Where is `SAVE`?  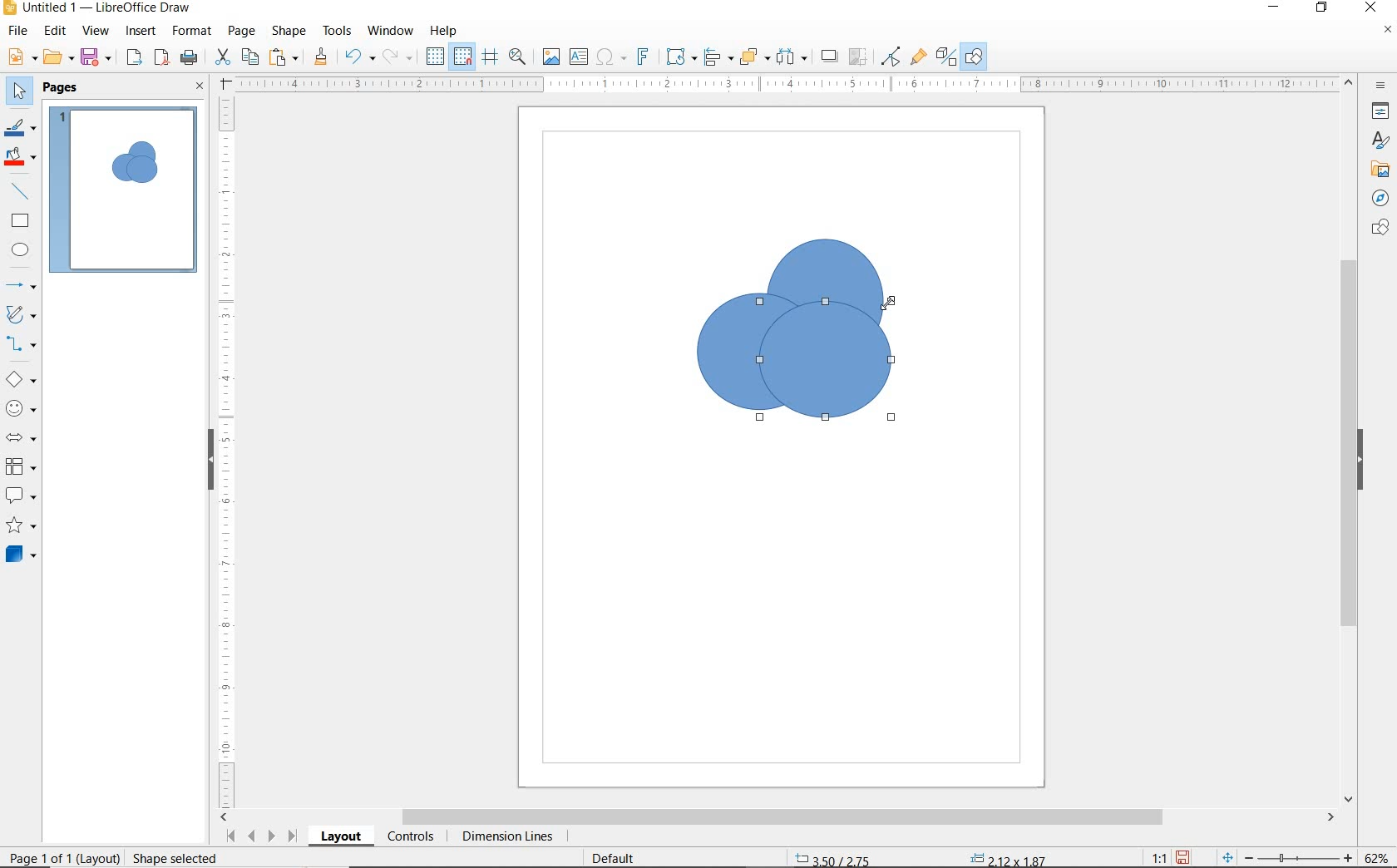 SAVE is located at coordinates (98, 57).